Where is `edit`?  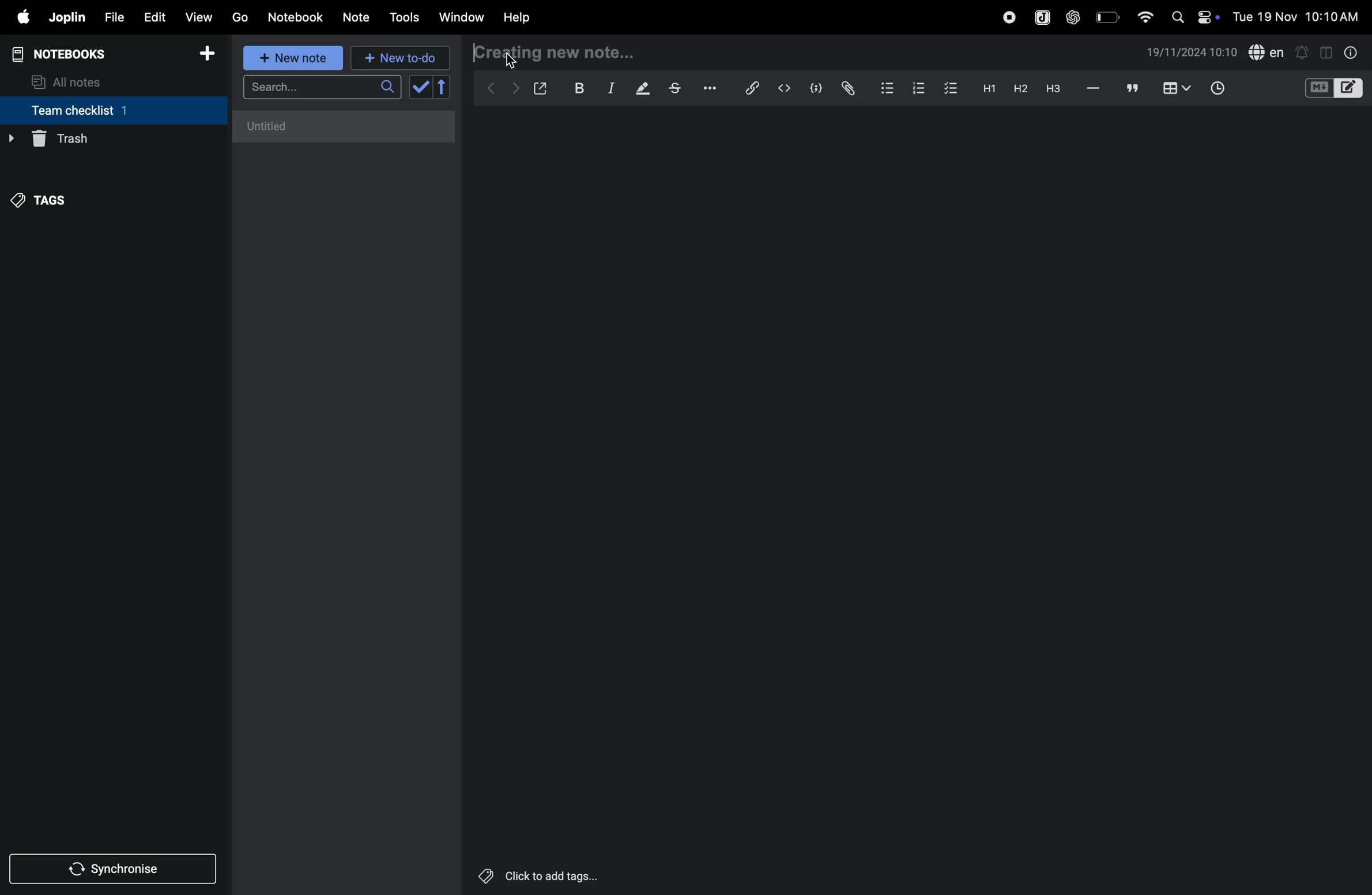 edit is located at coordinates (154, 16).